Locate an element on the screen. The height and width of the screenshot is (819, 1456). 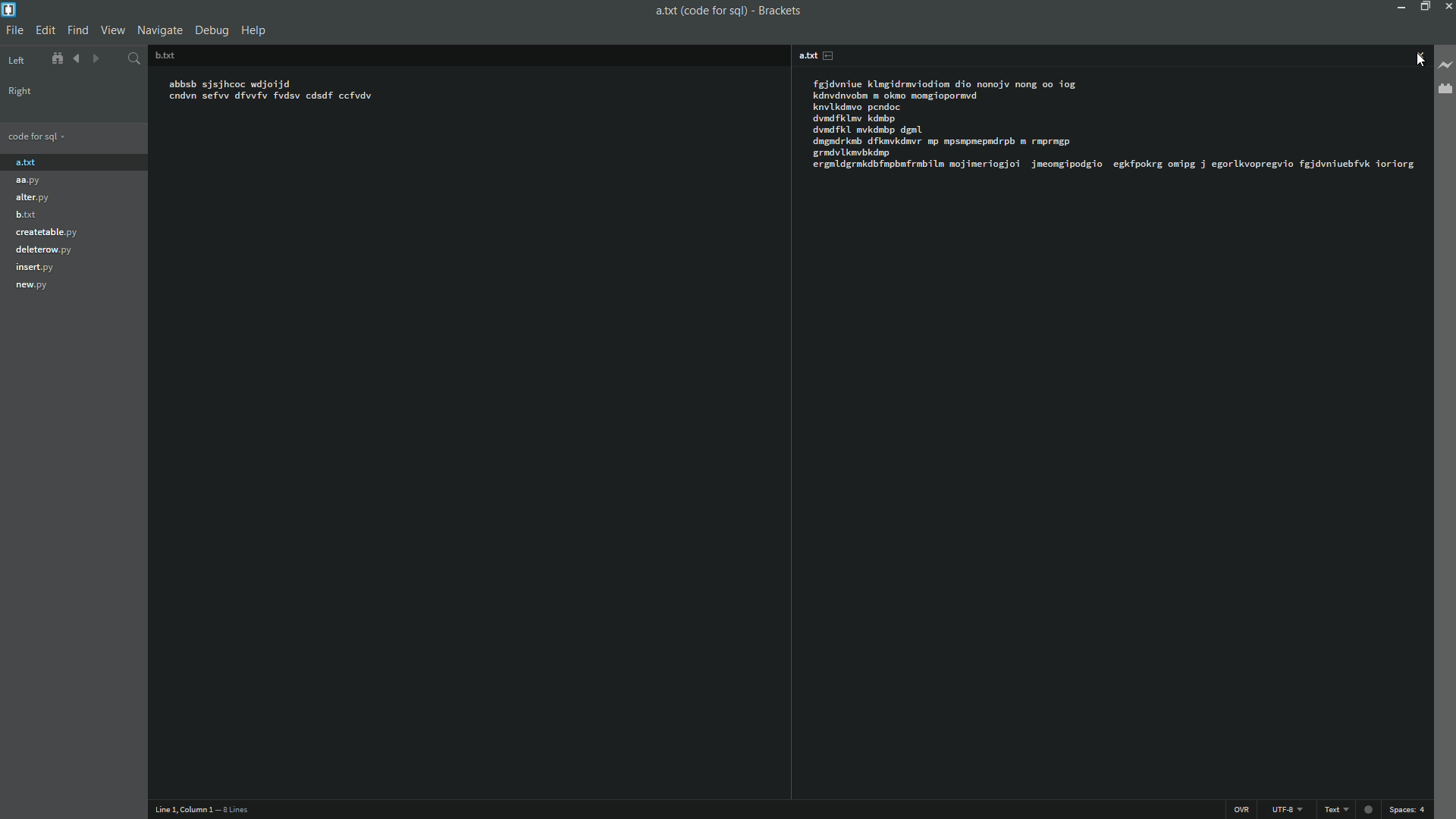
debug is located at coordinates (212, 30).